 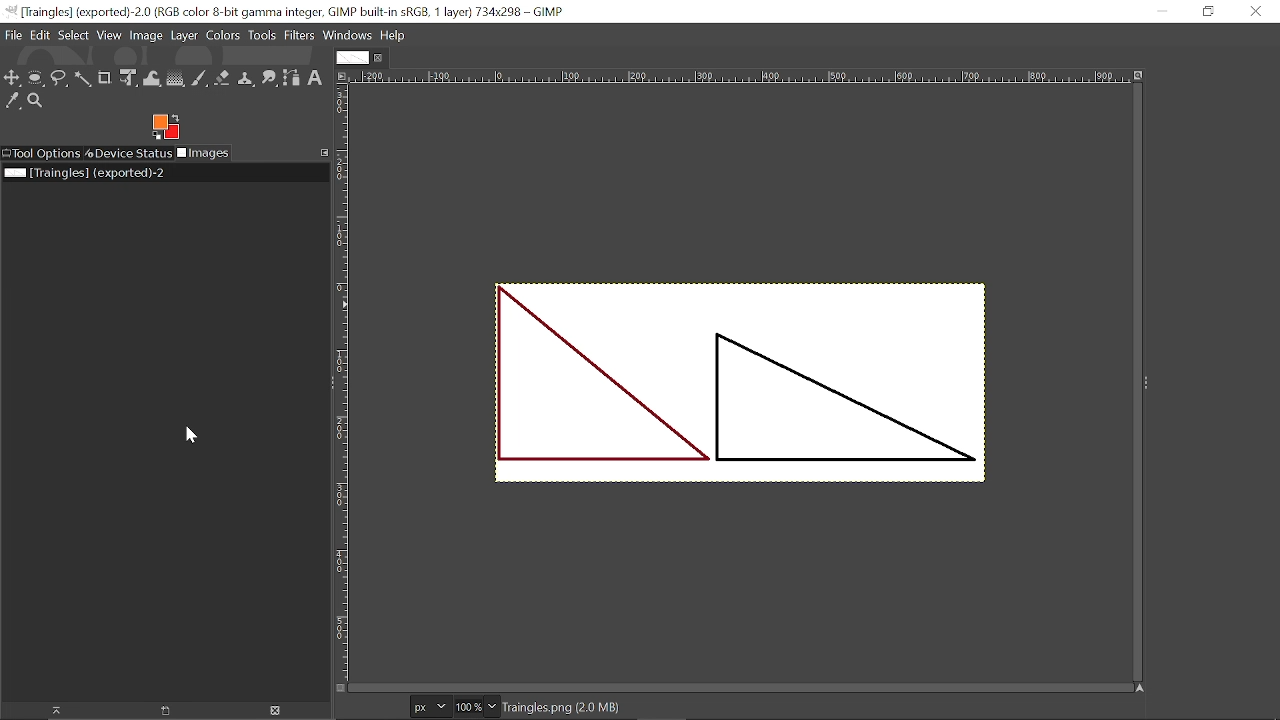 I want to click on Restore down, so click(x=1206, y=12).